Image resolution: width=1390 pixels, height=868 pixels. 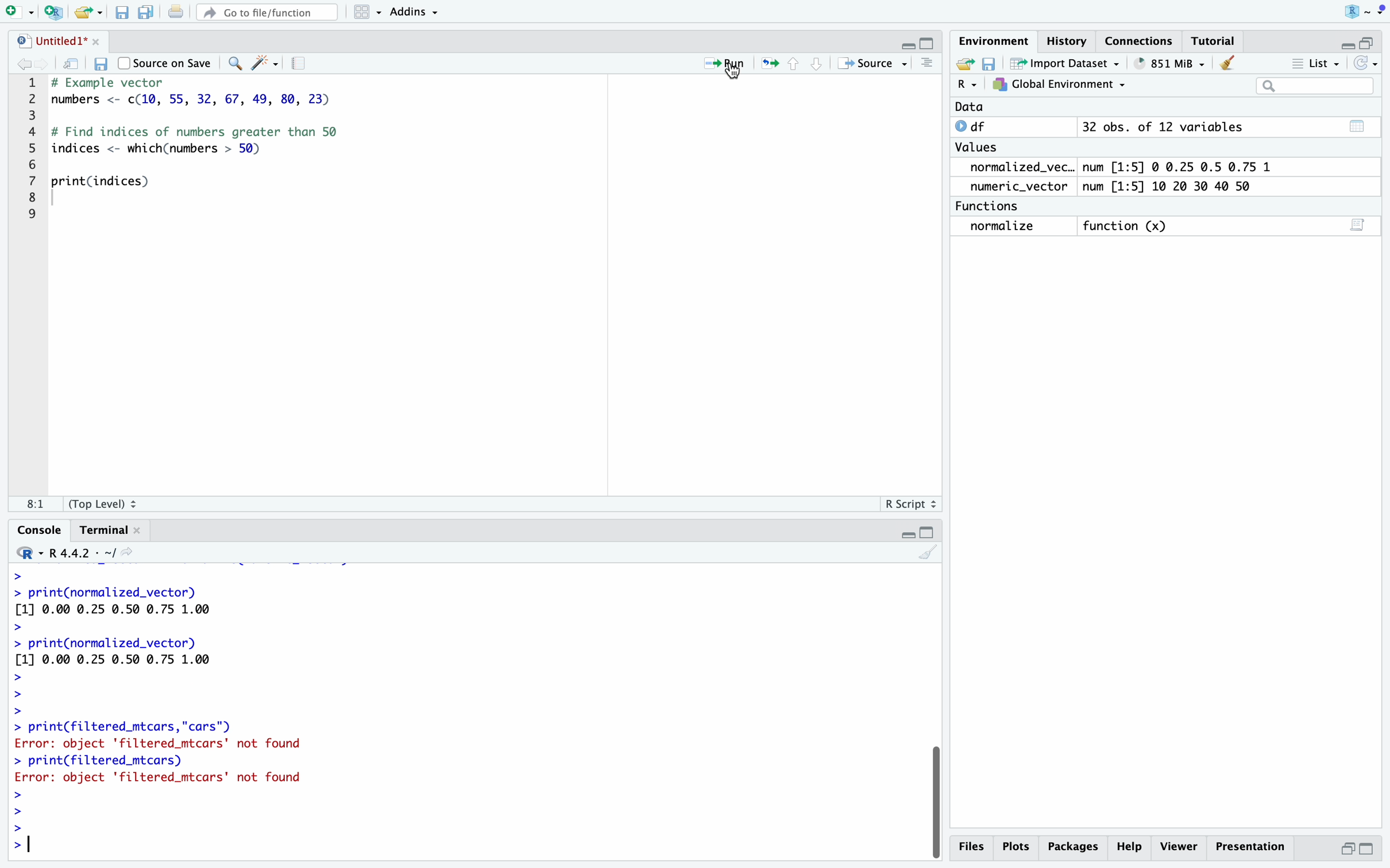 What do you see at coordinates (144, 12) in the screenshot?
I see `save all open document` at bounding box center [144, 12].